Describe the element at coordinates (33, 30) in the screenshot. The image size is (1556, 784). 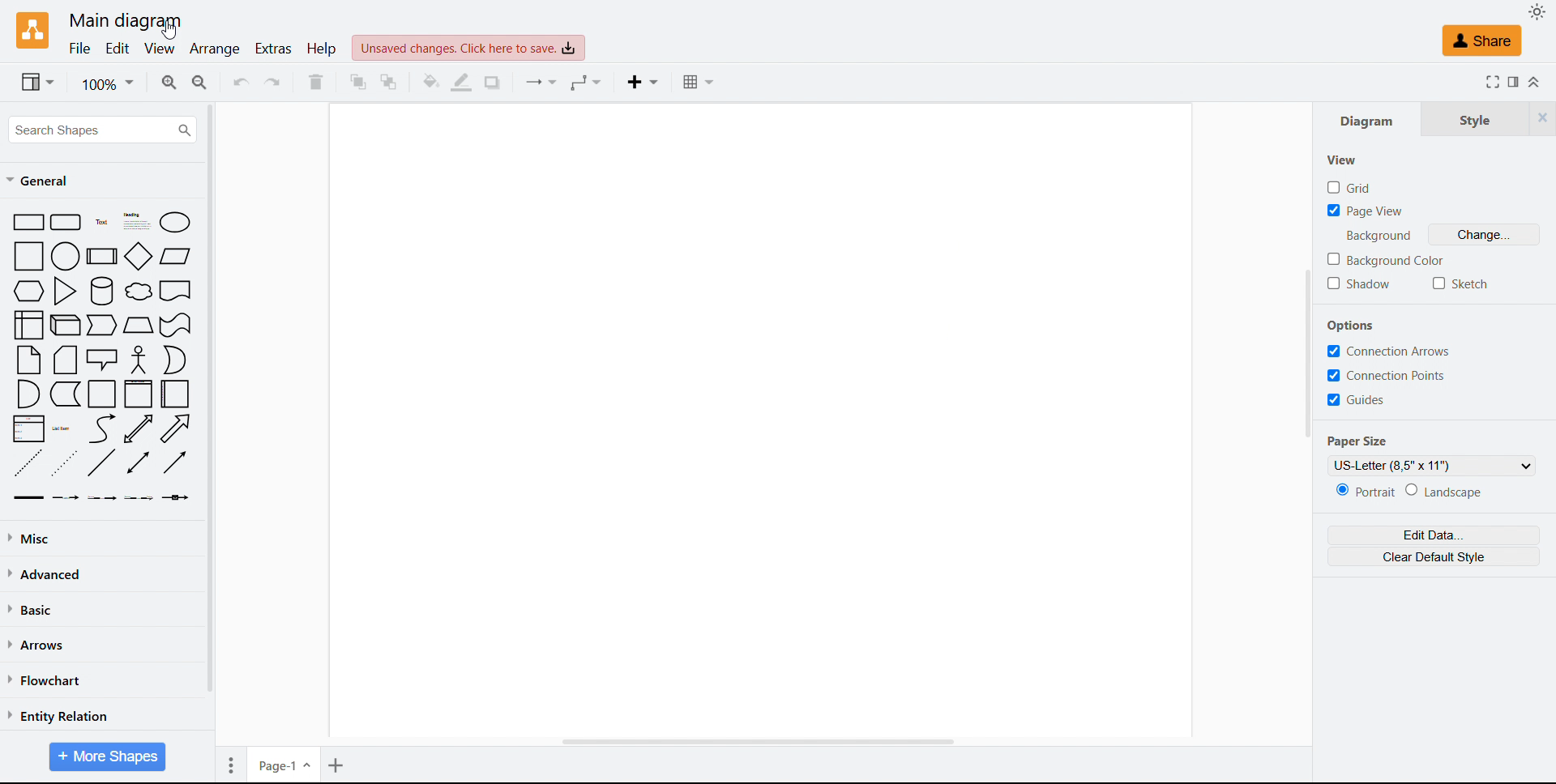
I see `Logo ` at that location.